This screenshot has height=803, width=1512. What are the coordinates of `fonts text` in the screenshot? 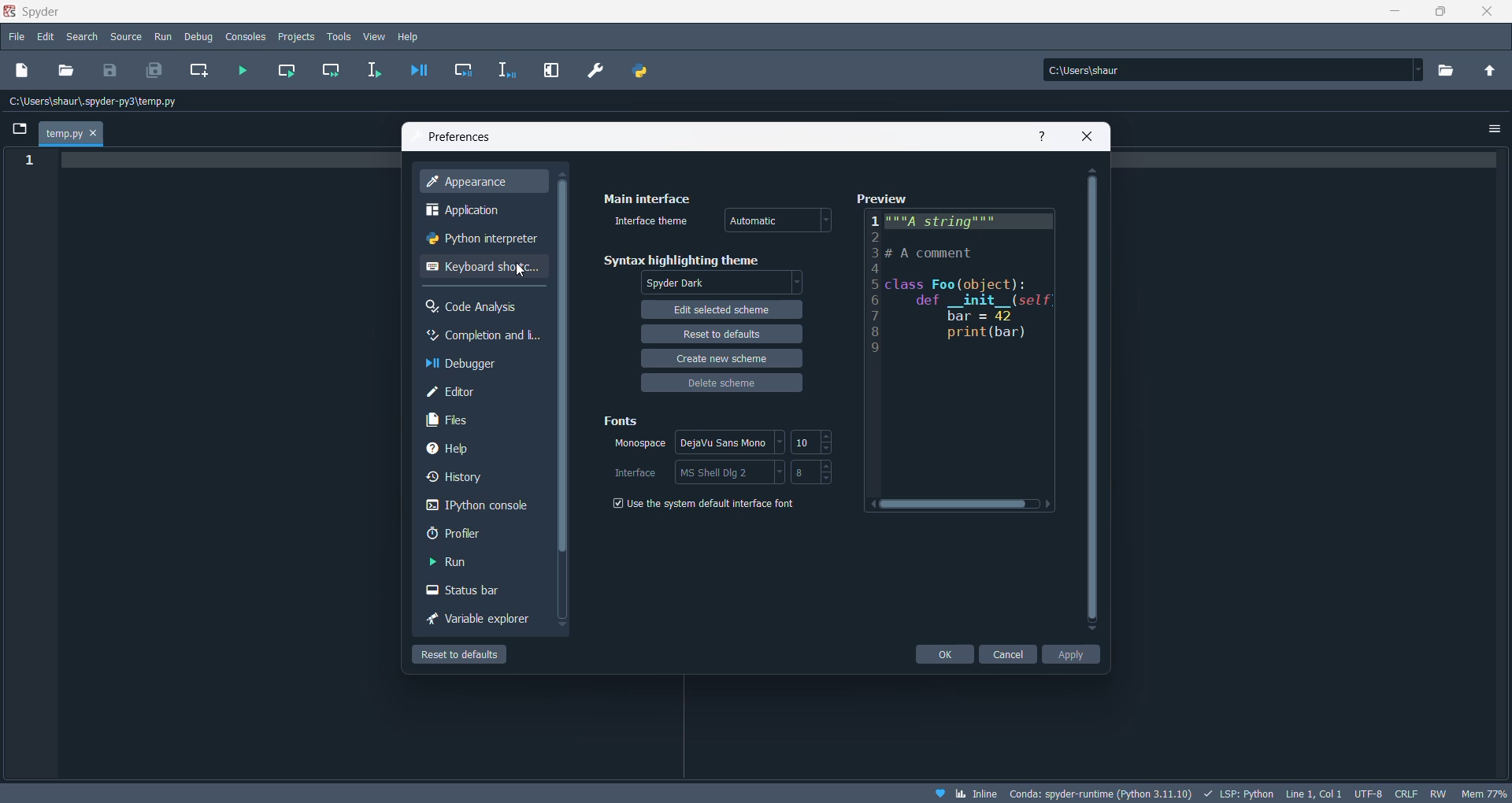 It's located at (622, 424).